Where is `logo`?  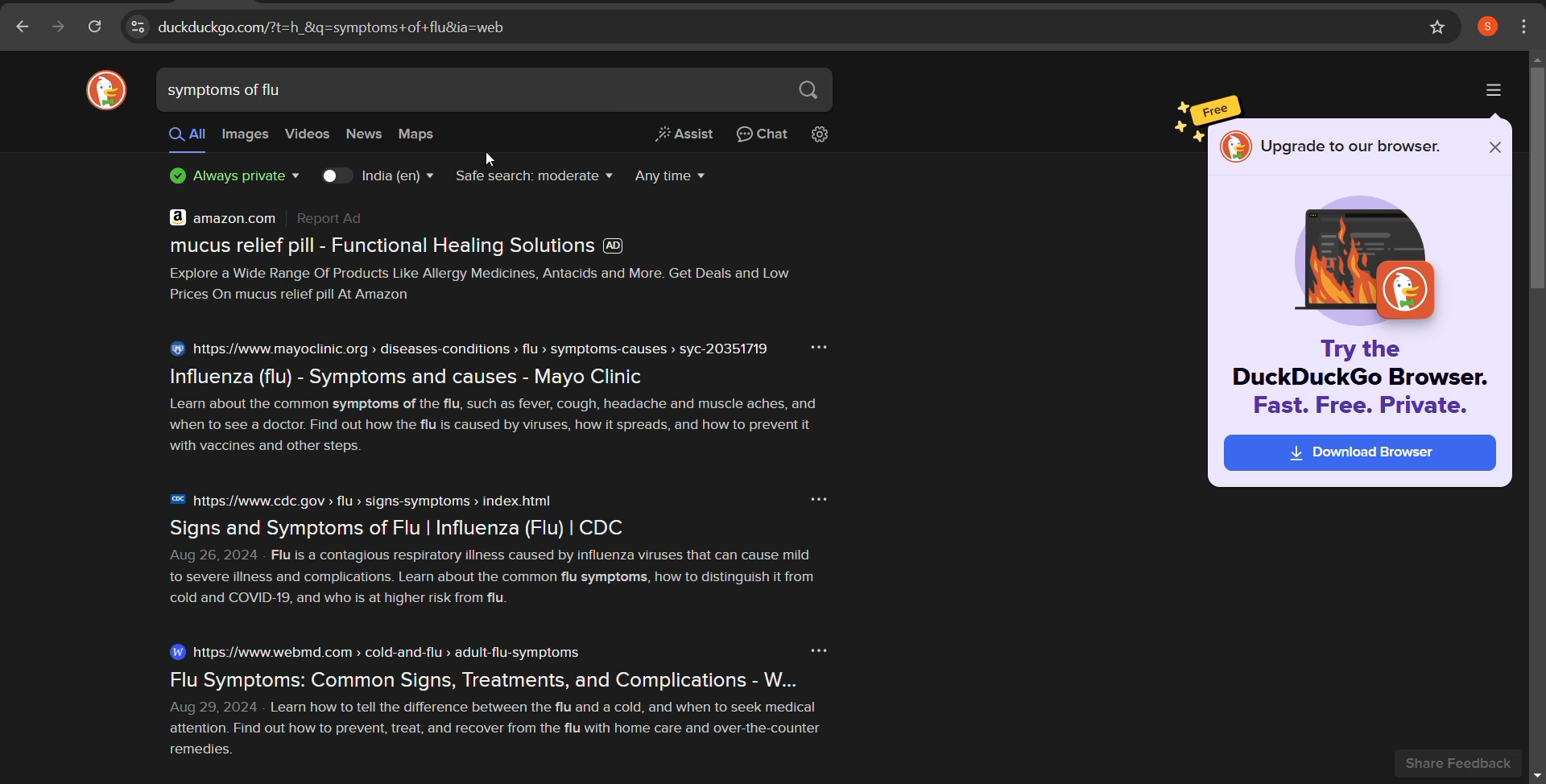
logo is located at coordinates (1235, 146).